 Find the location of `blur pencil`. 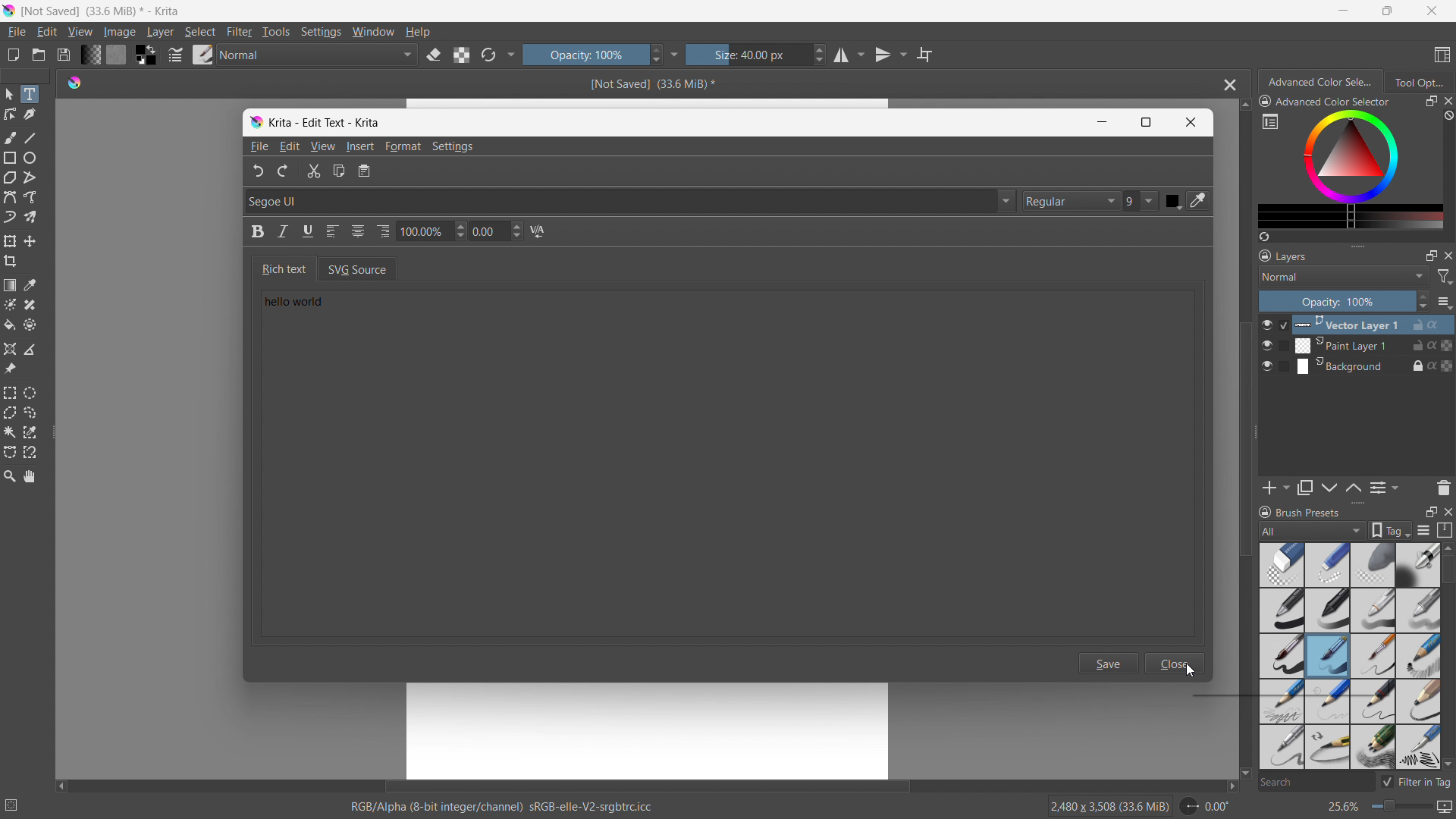

blur pencil is located at coordinates (1418, 609).